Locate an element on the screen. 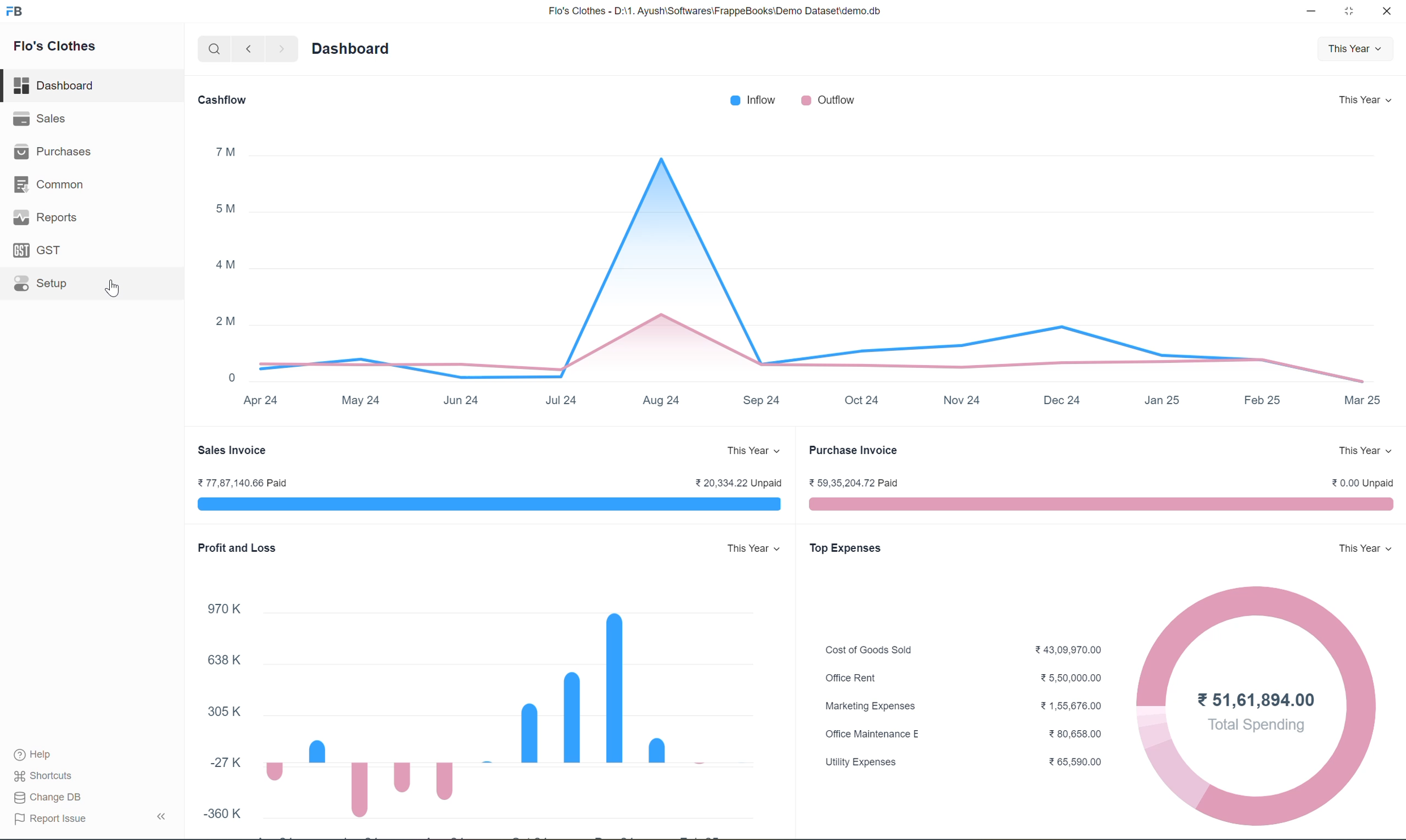 This screenshot has width=1406, height=840. Purchases is located at coordinates (52, 152).